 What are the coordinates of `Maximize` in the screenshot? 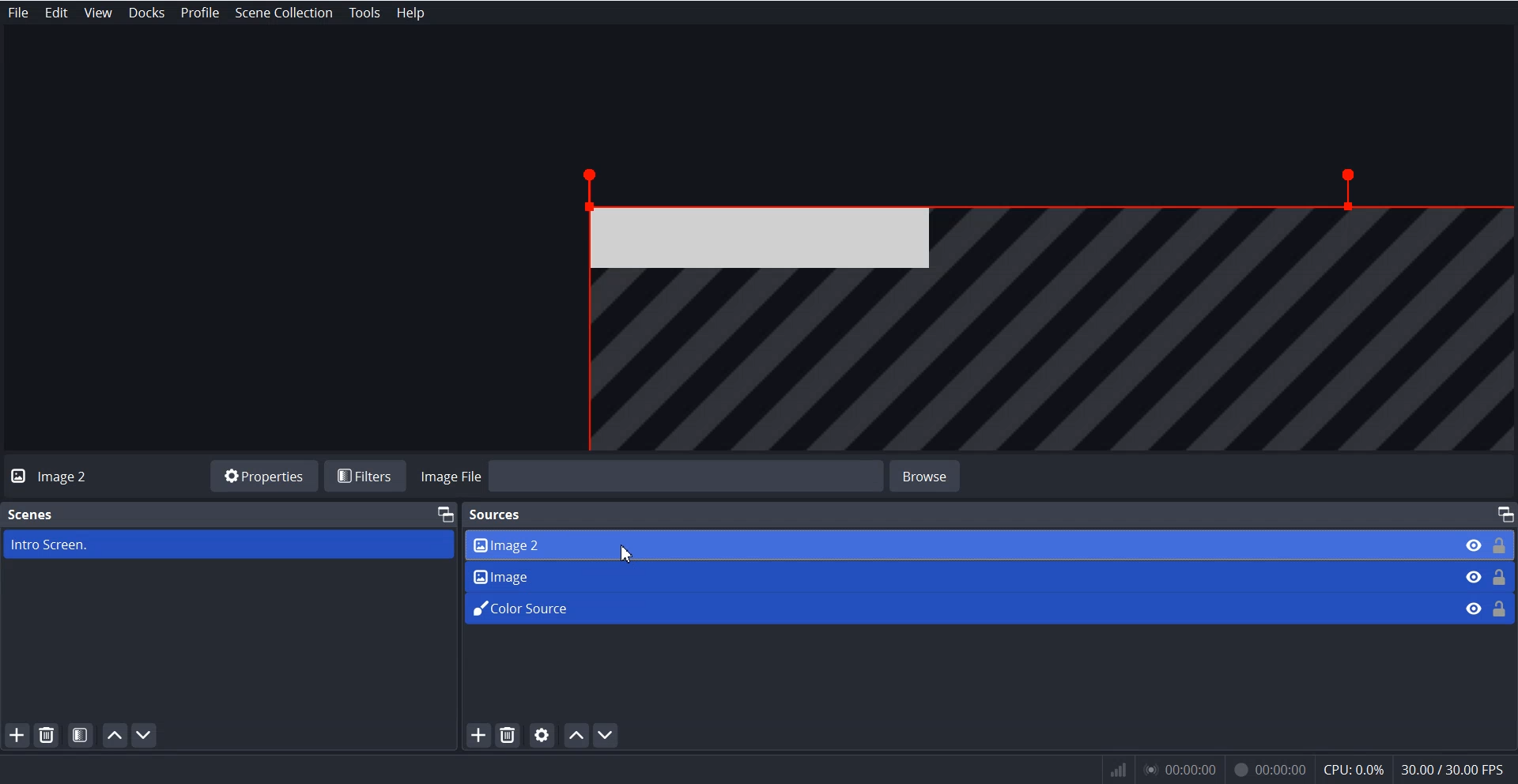 It's located at (444, 513).